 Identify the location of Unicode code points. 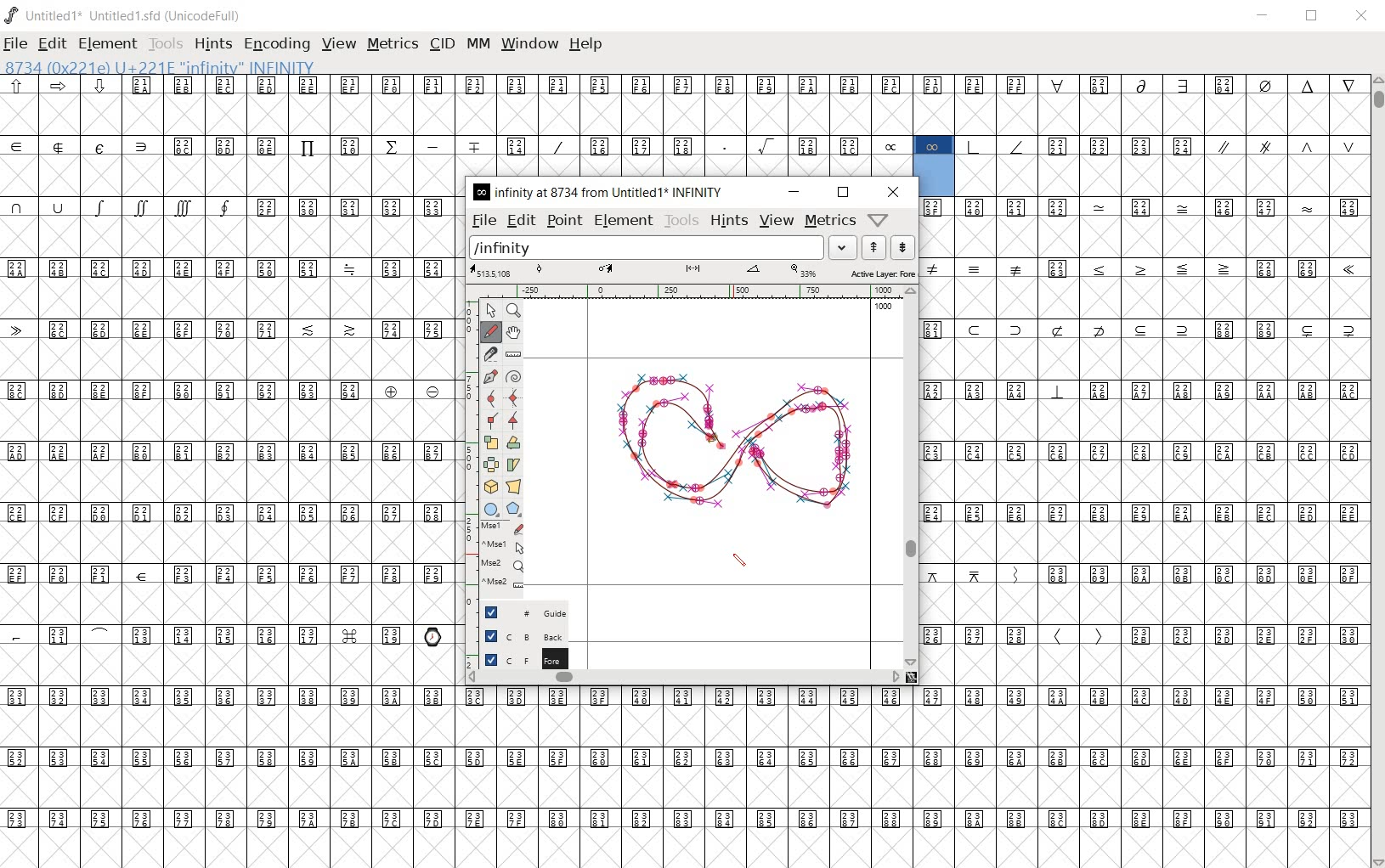
(229, 268).